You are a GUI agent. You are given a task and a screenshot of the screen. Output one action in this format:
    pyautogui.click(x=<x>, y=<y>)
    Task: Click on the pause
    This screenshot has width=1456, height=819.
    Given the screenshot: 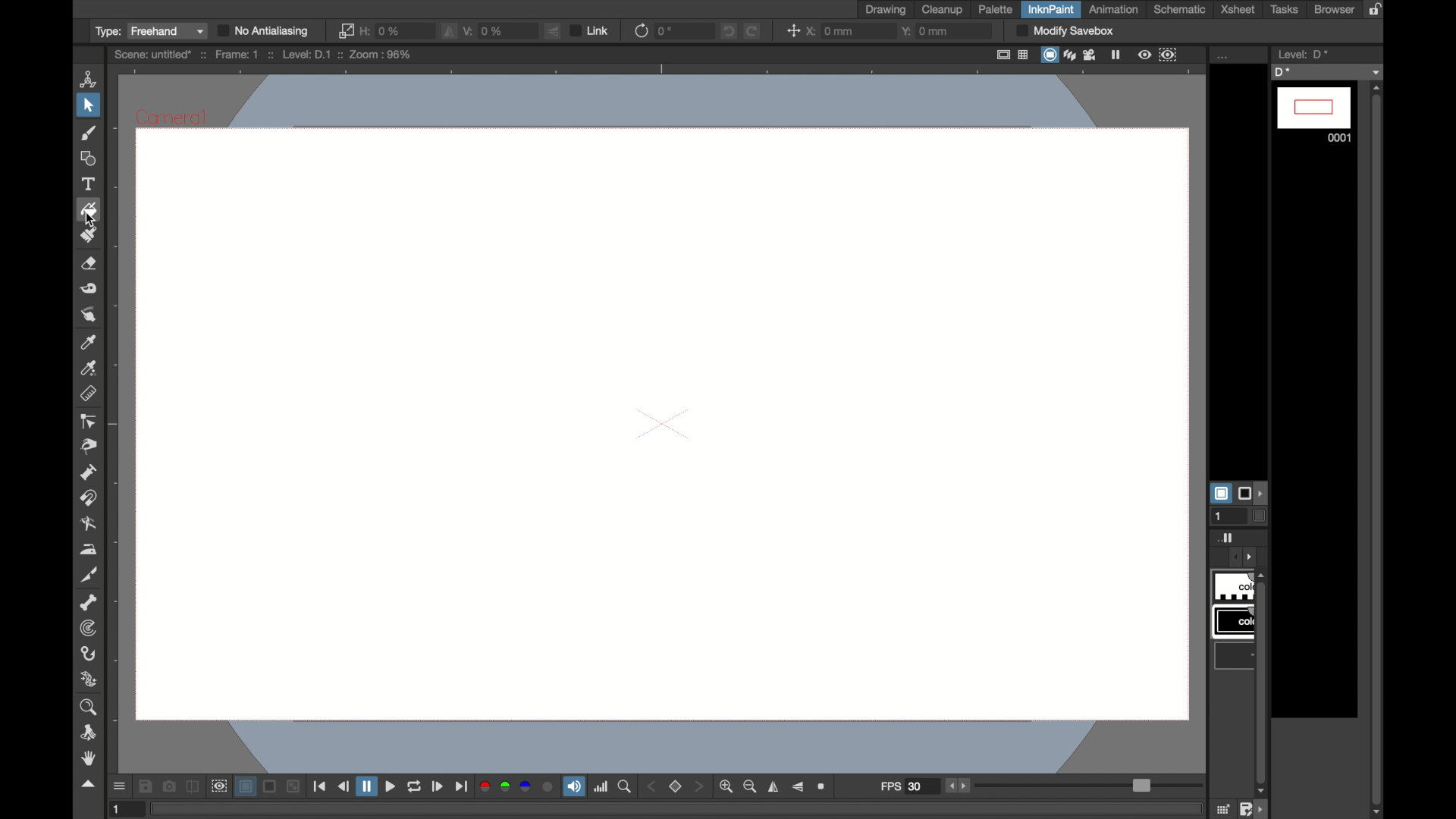 What is the action you would take?
    pyautogui.click(x=368, y=786)
    